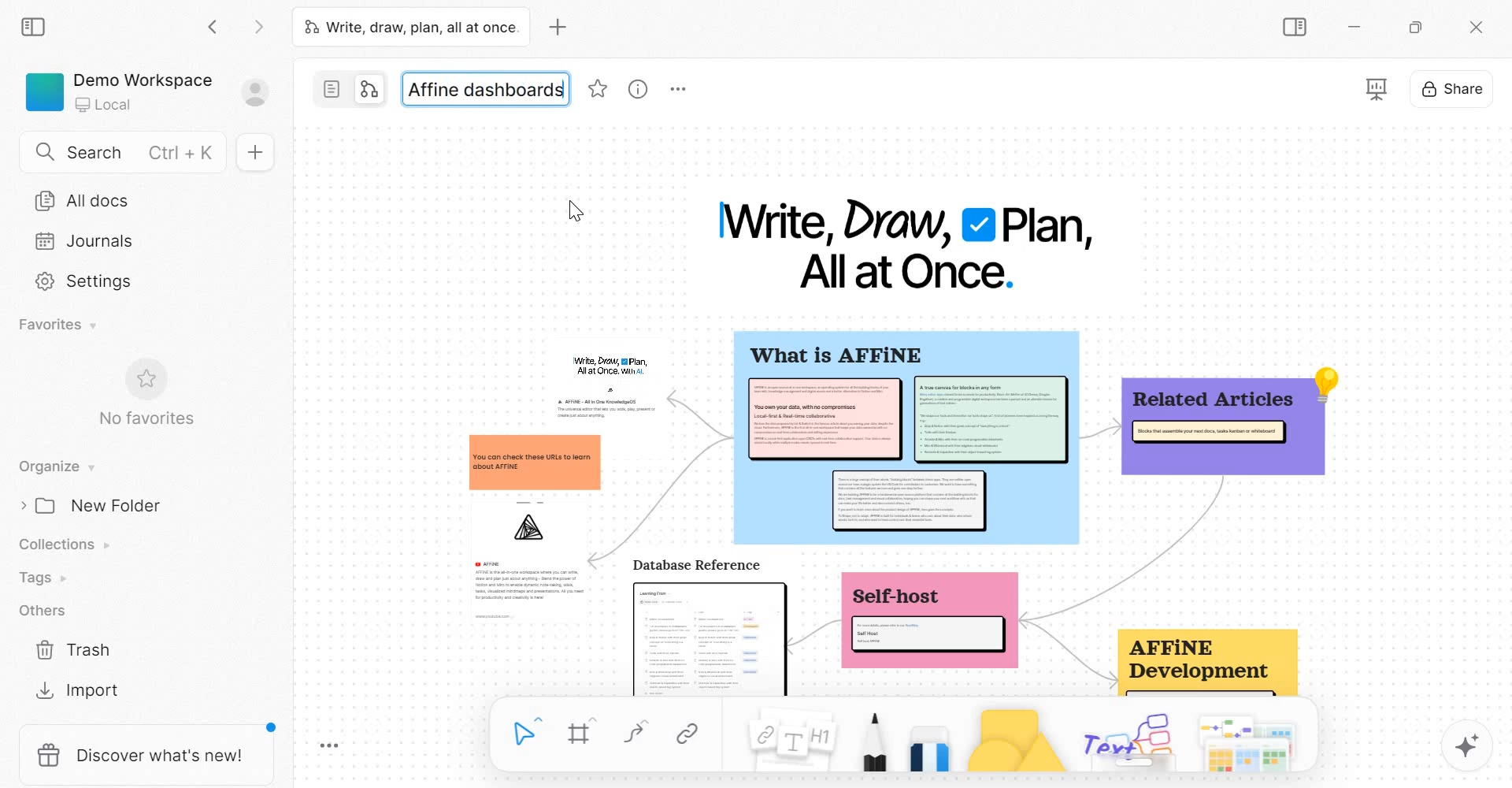  What do you see at coordinates (65, 543) in the screenshot?
I see `Collections` at bounding box center [65, 543].